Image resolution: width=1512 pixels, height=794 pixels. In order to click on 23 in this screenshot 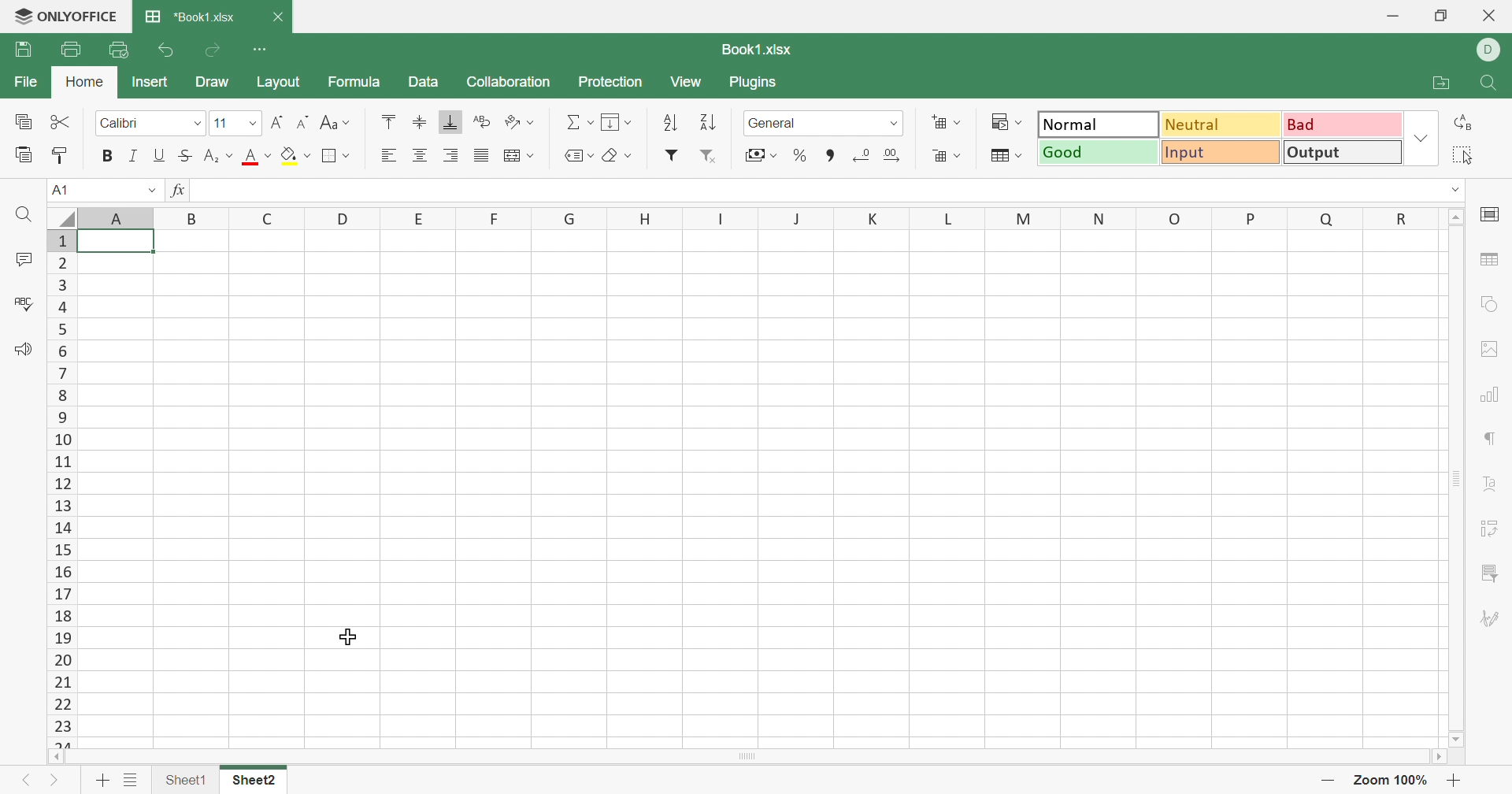, I will do `click(63, 725)`.